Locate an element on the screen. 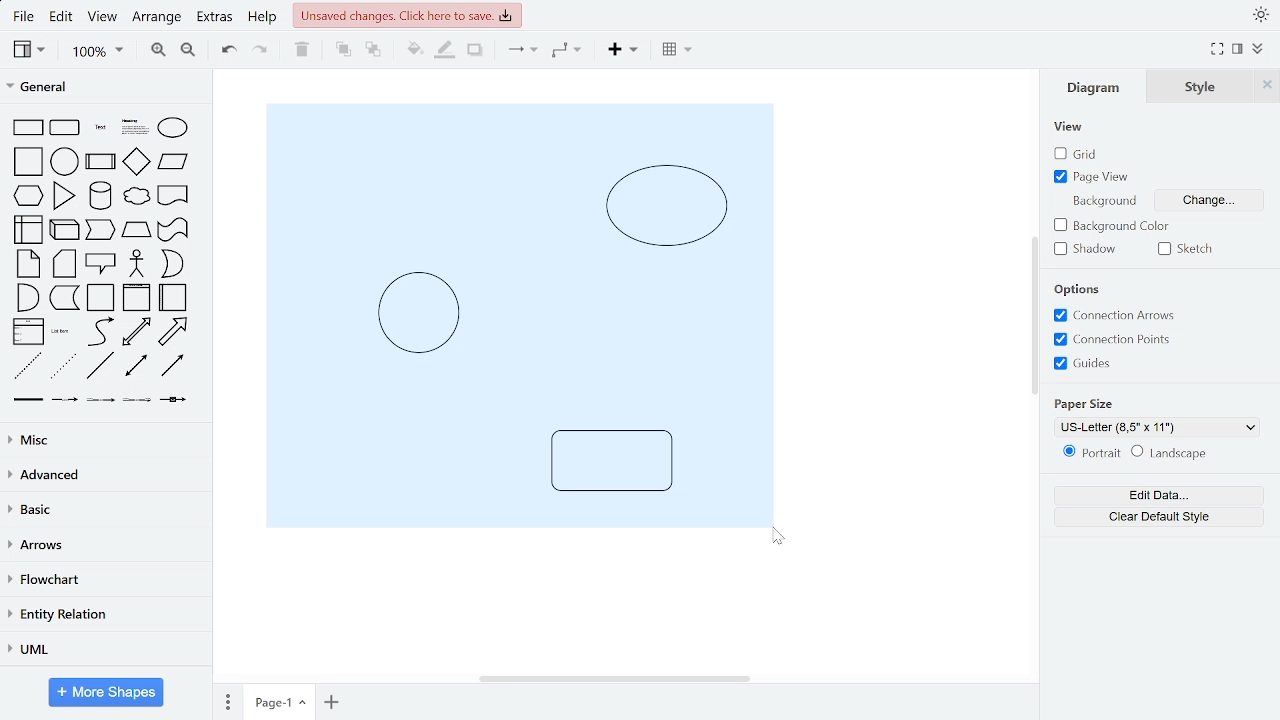  cloud is located at coordinates (135, 196).